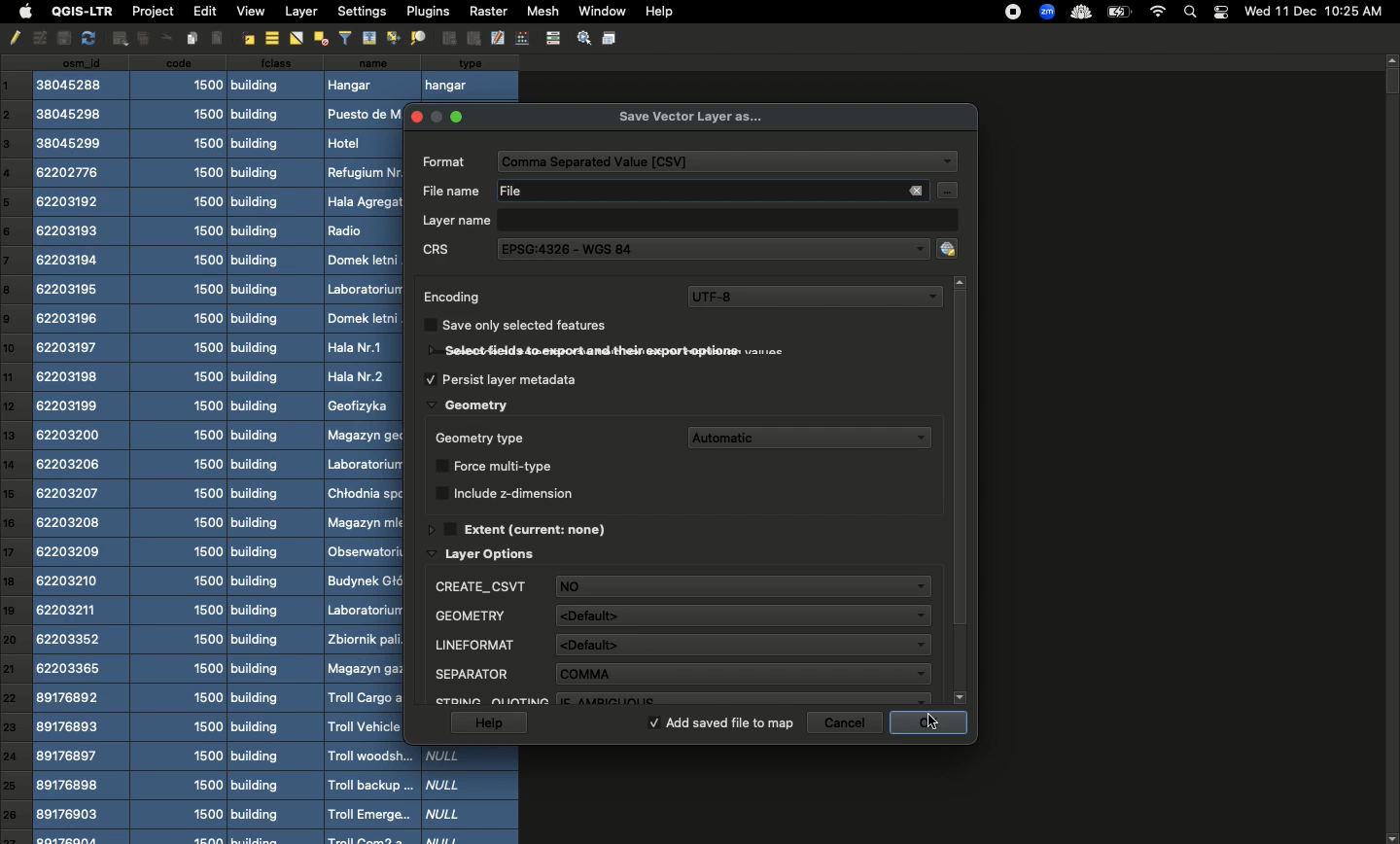 This screenshot has width=1400, height=844. Describe the element at coordinates (616, 353) in the screenshot. I see `Select fields to export and their export options` at that location.